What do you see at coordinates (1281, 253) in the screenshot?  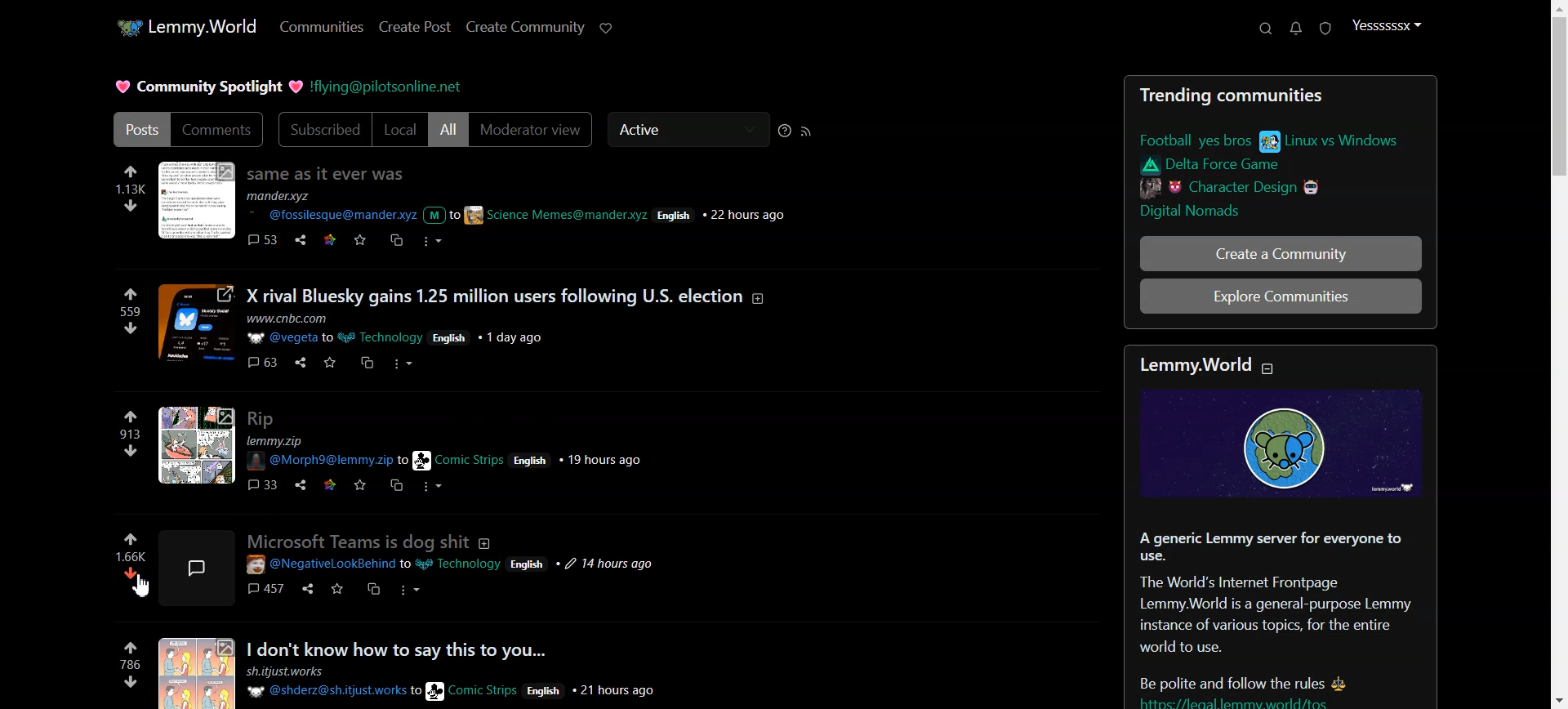 I see `Create a Community` at bounding box center [1281, 253].